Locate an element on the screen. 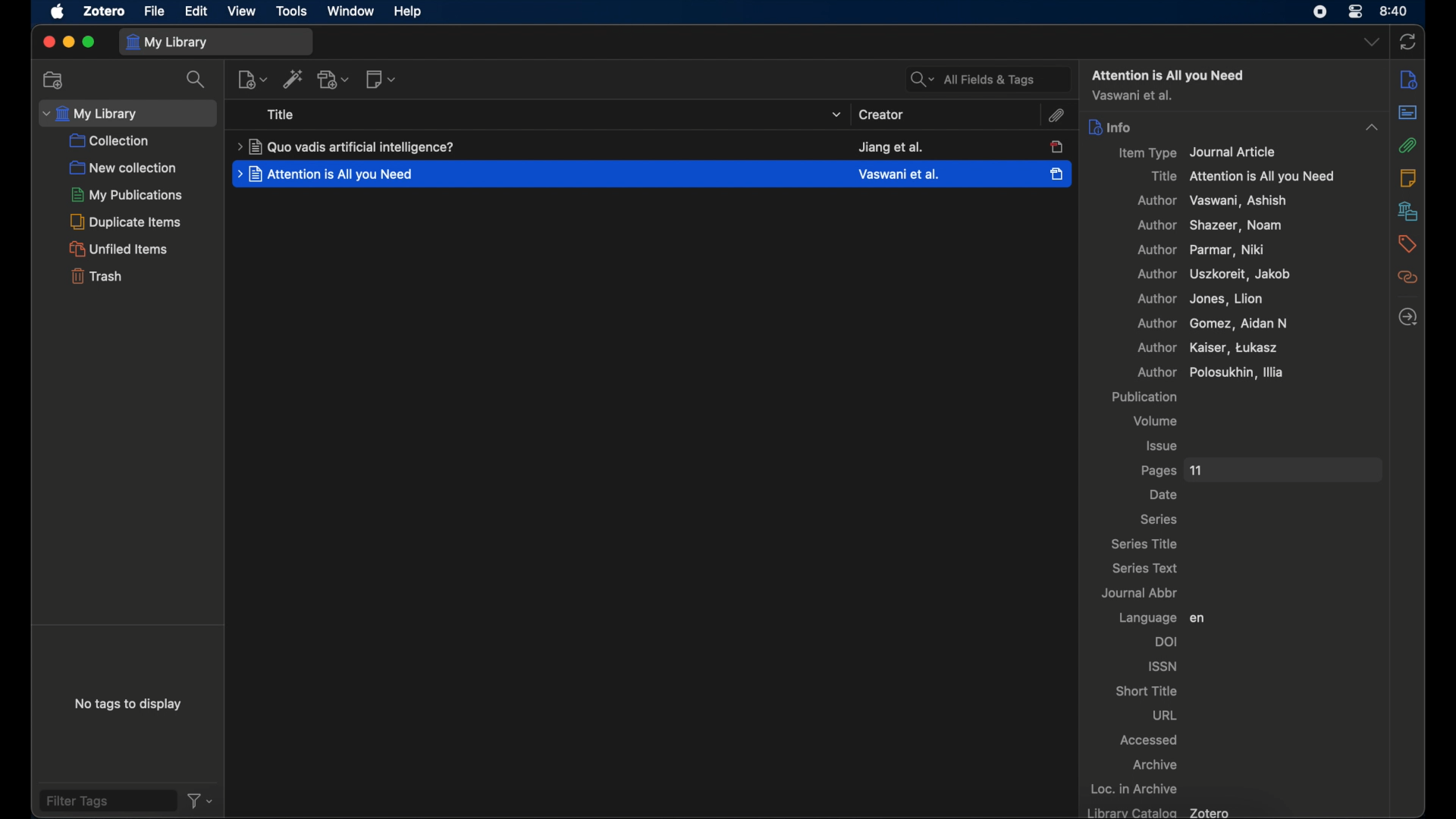  window is located at coordinates (348, 11).